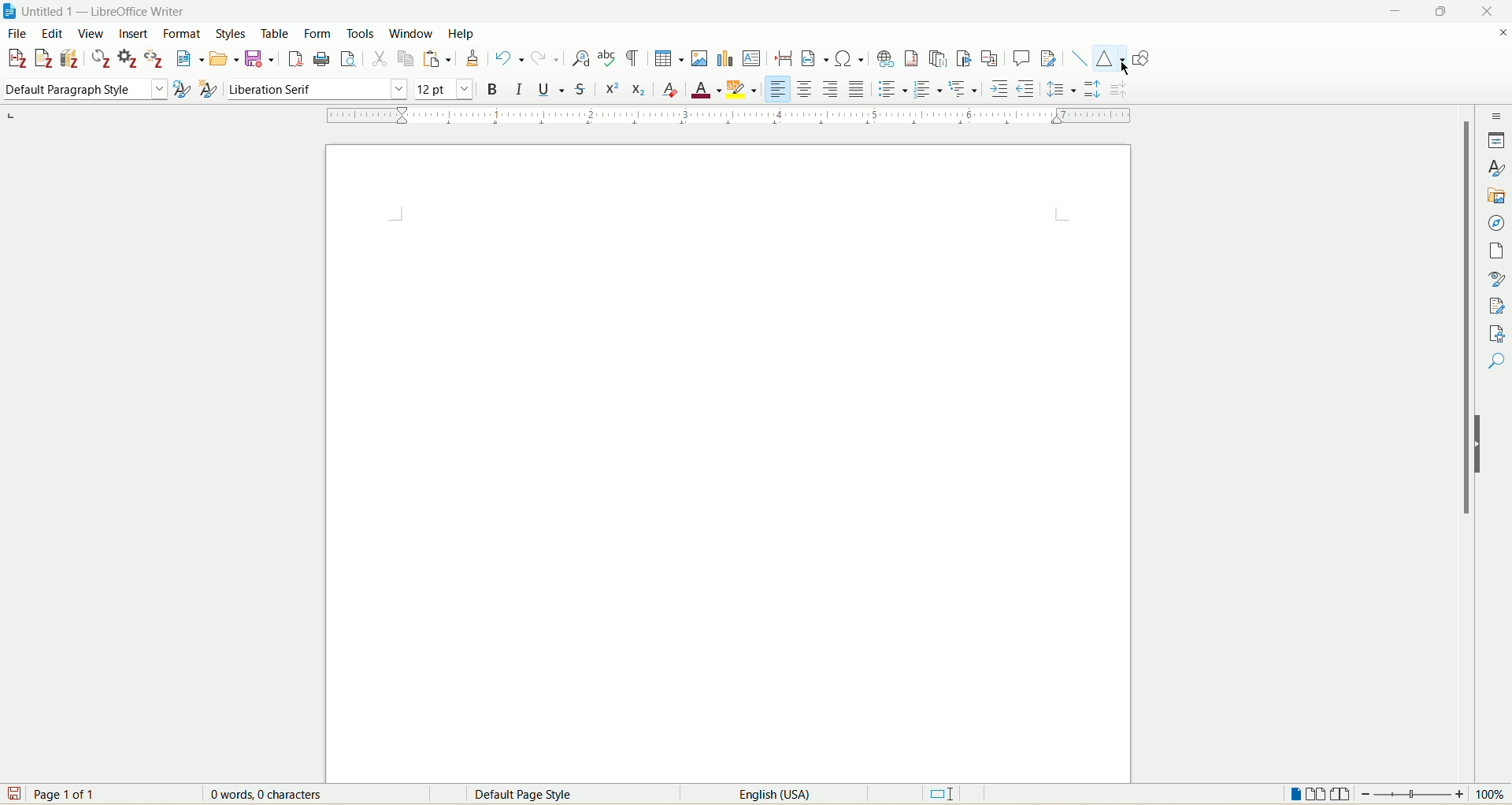 Image resolution: width=1512 pixels, height=805 pixels. Describe the element at coordinates (510, 58) in the screenshot. I see `undo` at that location.